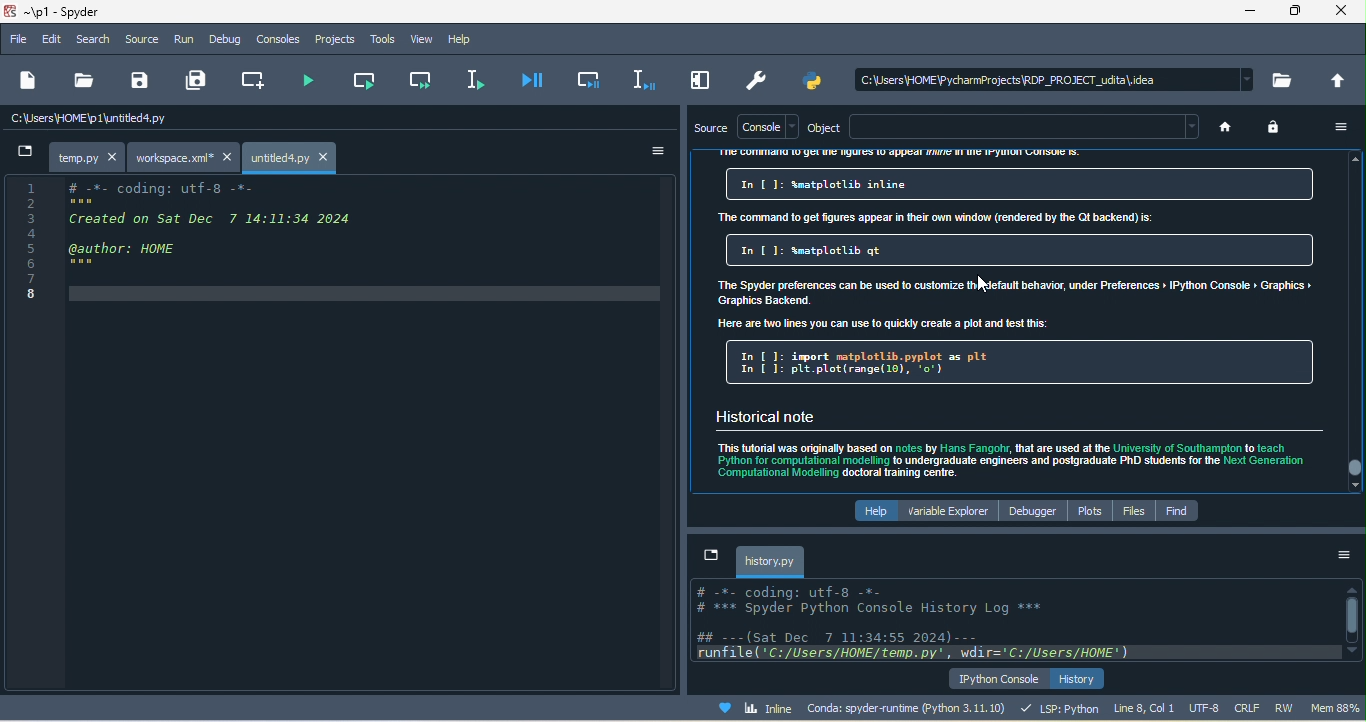 The image size is (1366, 722). I want to click on lock, so click(1281, 129).